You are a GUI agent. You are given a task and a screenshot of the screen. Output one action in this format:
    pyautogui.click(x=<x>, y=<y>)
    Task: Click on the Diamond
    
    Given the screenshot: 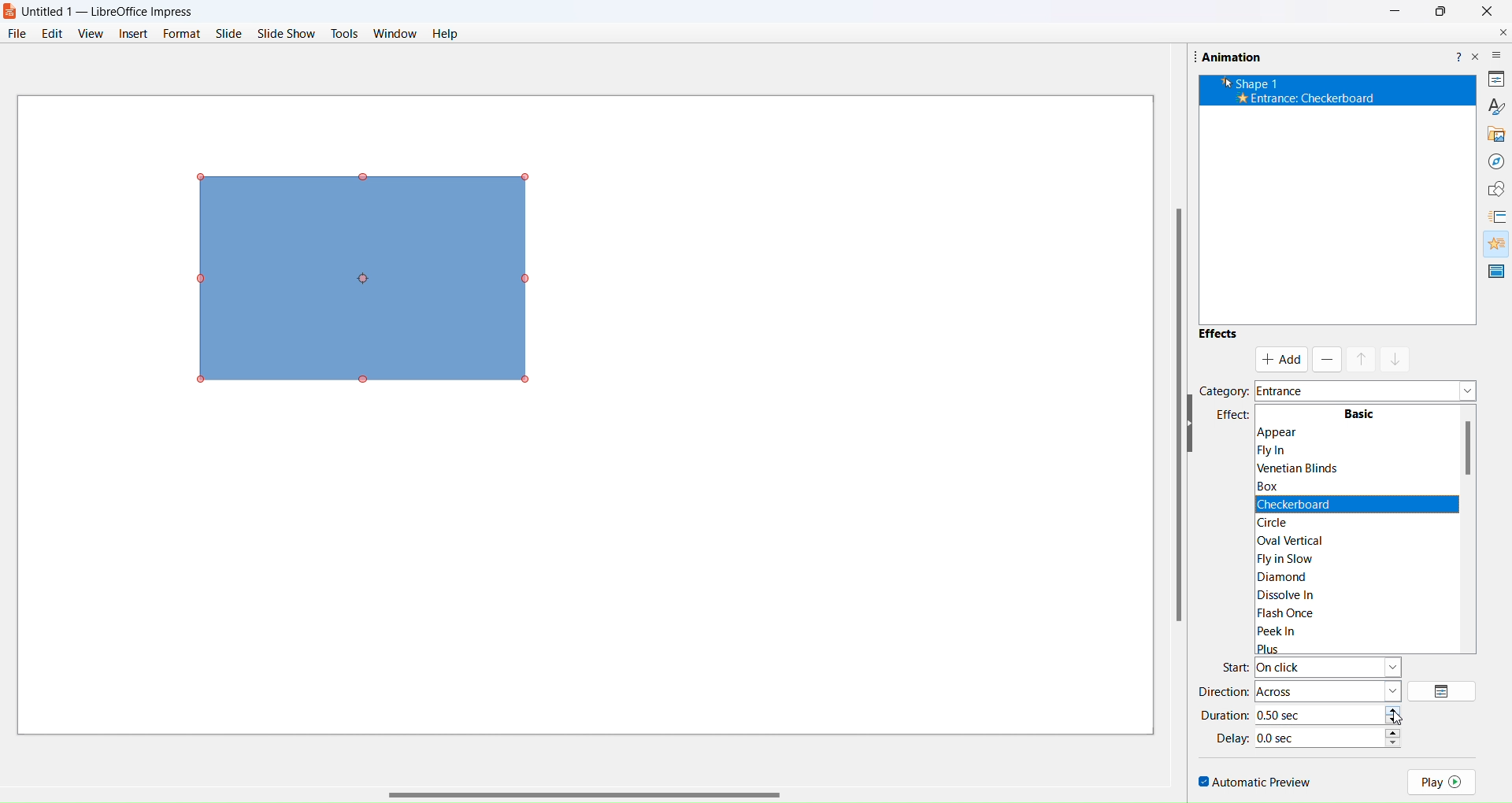 What is the action you would take?
    pyautogui.click(x=1293, y=575)
    